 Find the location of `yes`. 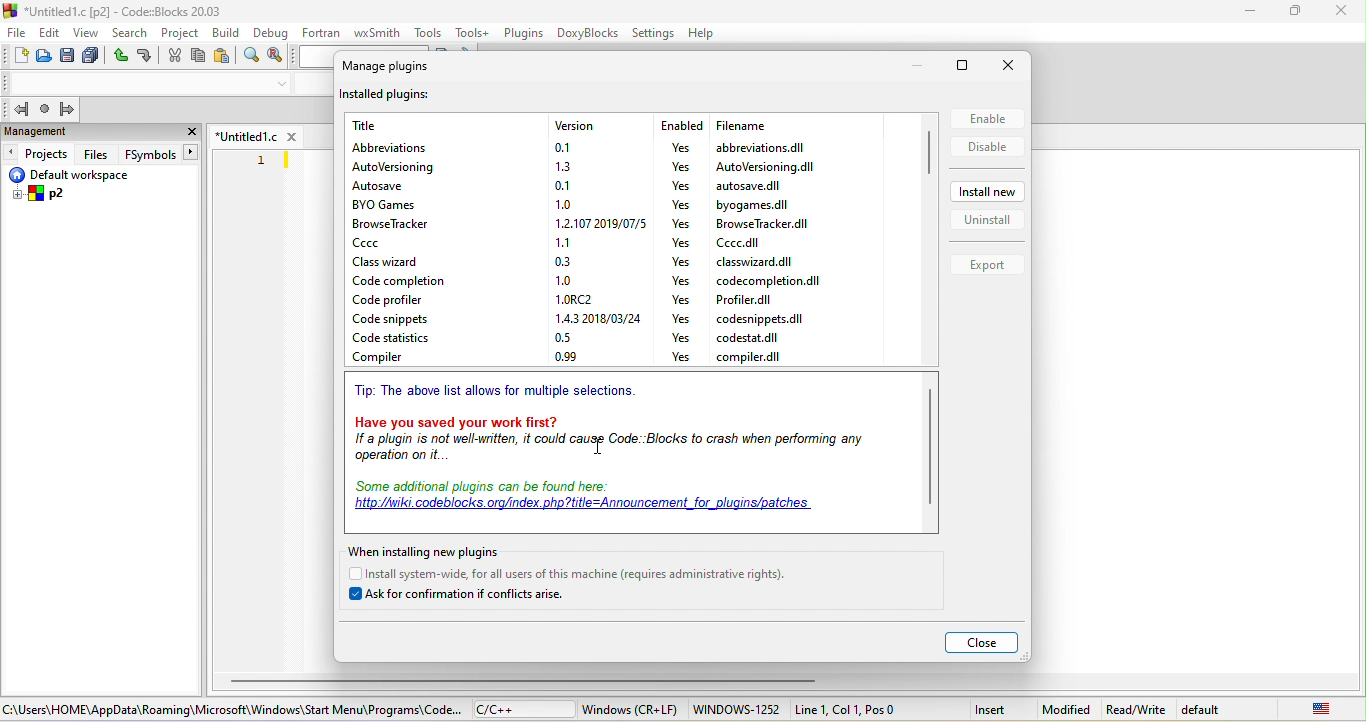

yes is located at coordinates (682, 281).